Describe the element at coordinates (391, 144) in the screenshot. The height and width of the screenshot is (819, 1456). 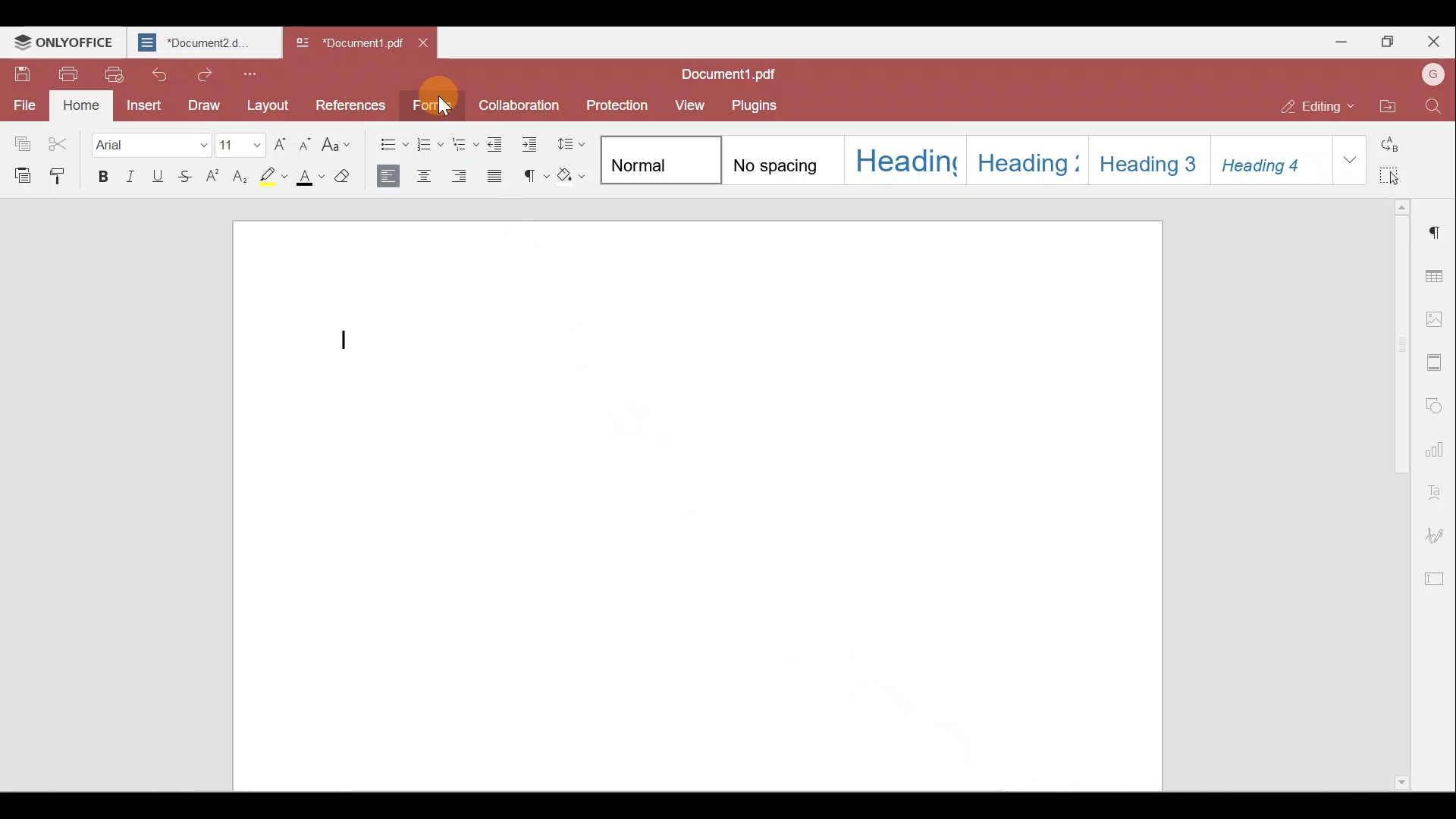
I see `Bullets` at that location.